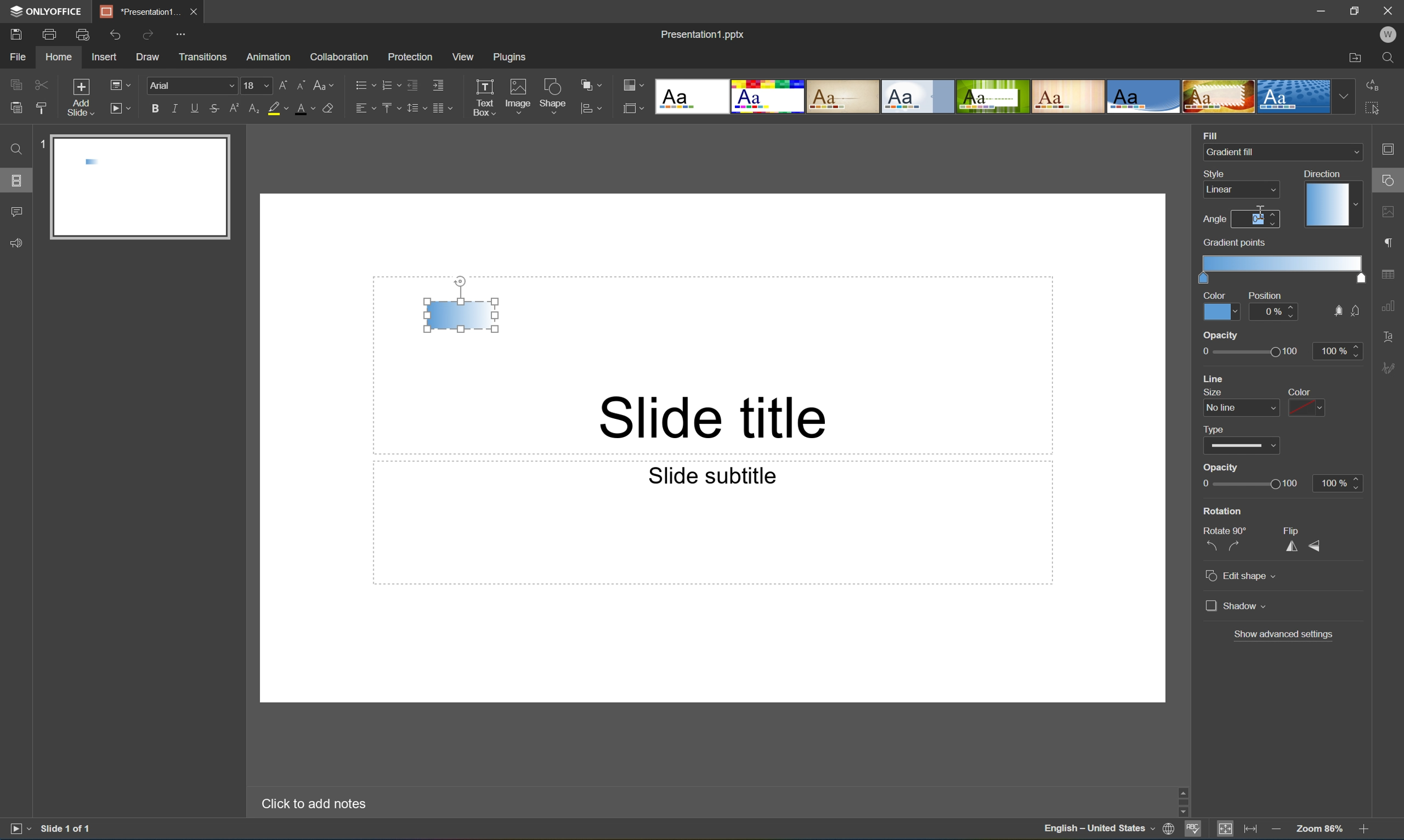 The height and width of the screenshot is (840, 1404). I want to click on Gradient fill, so click(1233, 152).